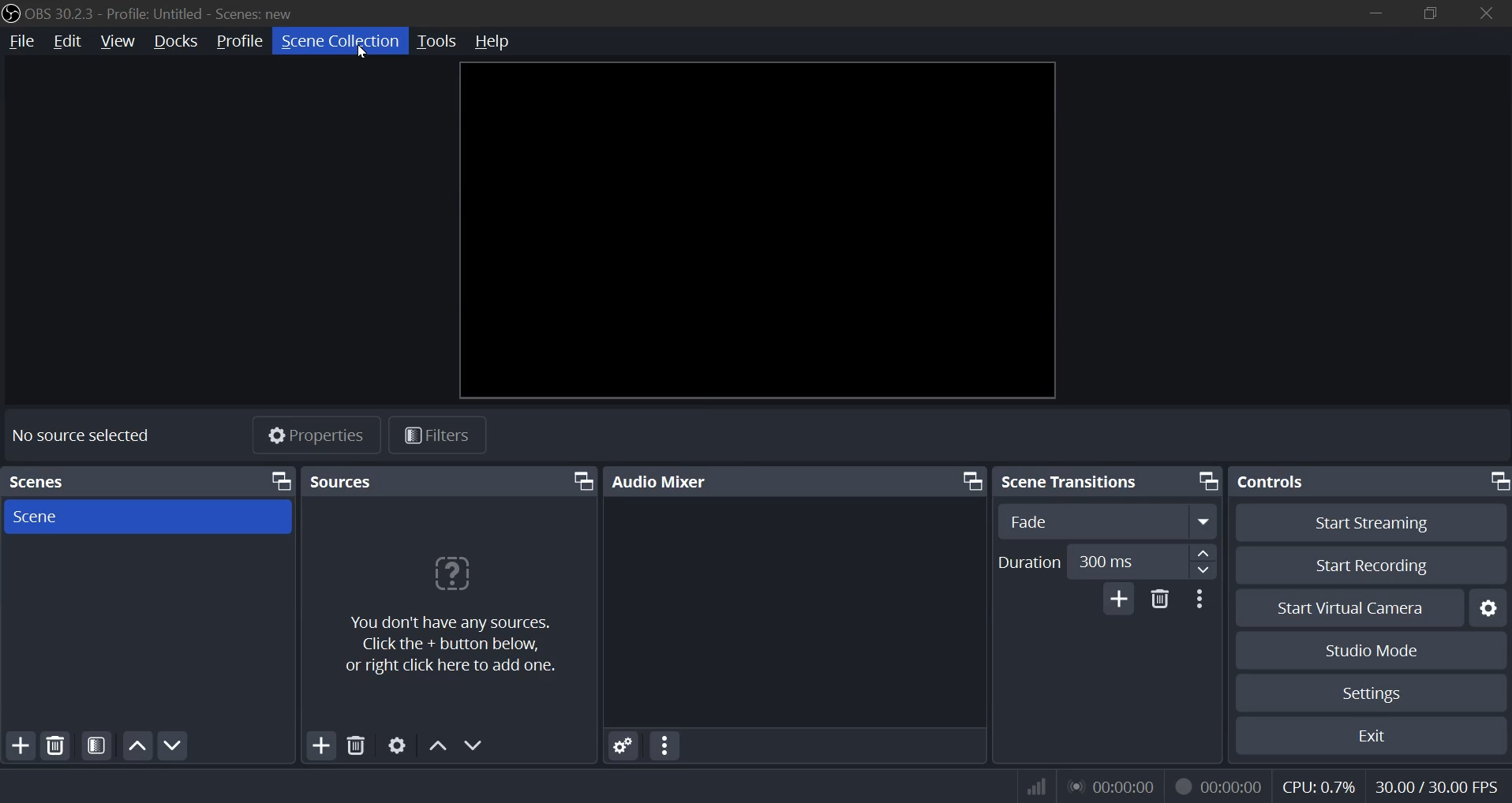  Describe the element at coordinates (1029, 786) in the screenshot. I see `wifi` at that location.